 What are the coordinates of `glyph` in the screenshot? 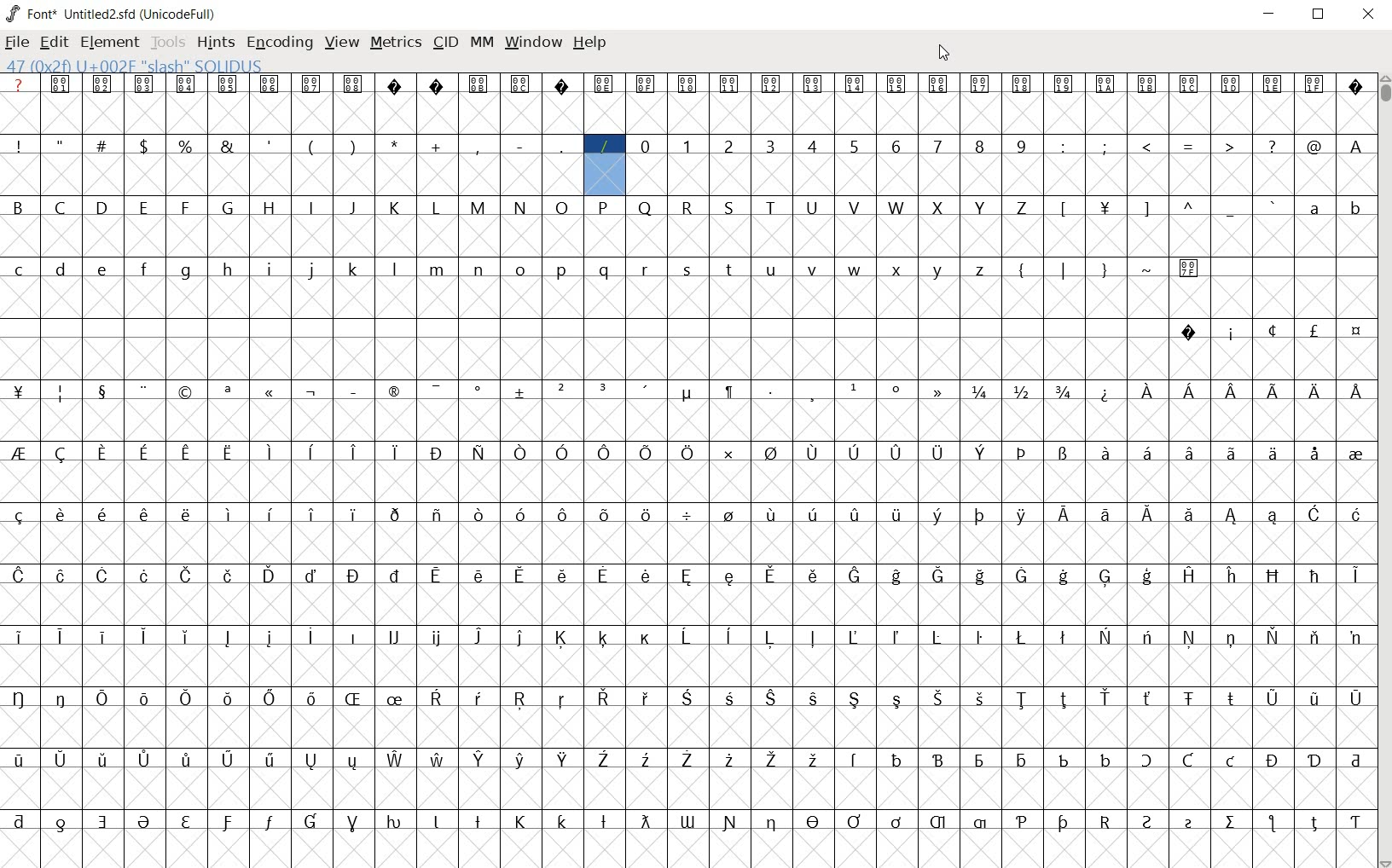 It's located at (102, 576).